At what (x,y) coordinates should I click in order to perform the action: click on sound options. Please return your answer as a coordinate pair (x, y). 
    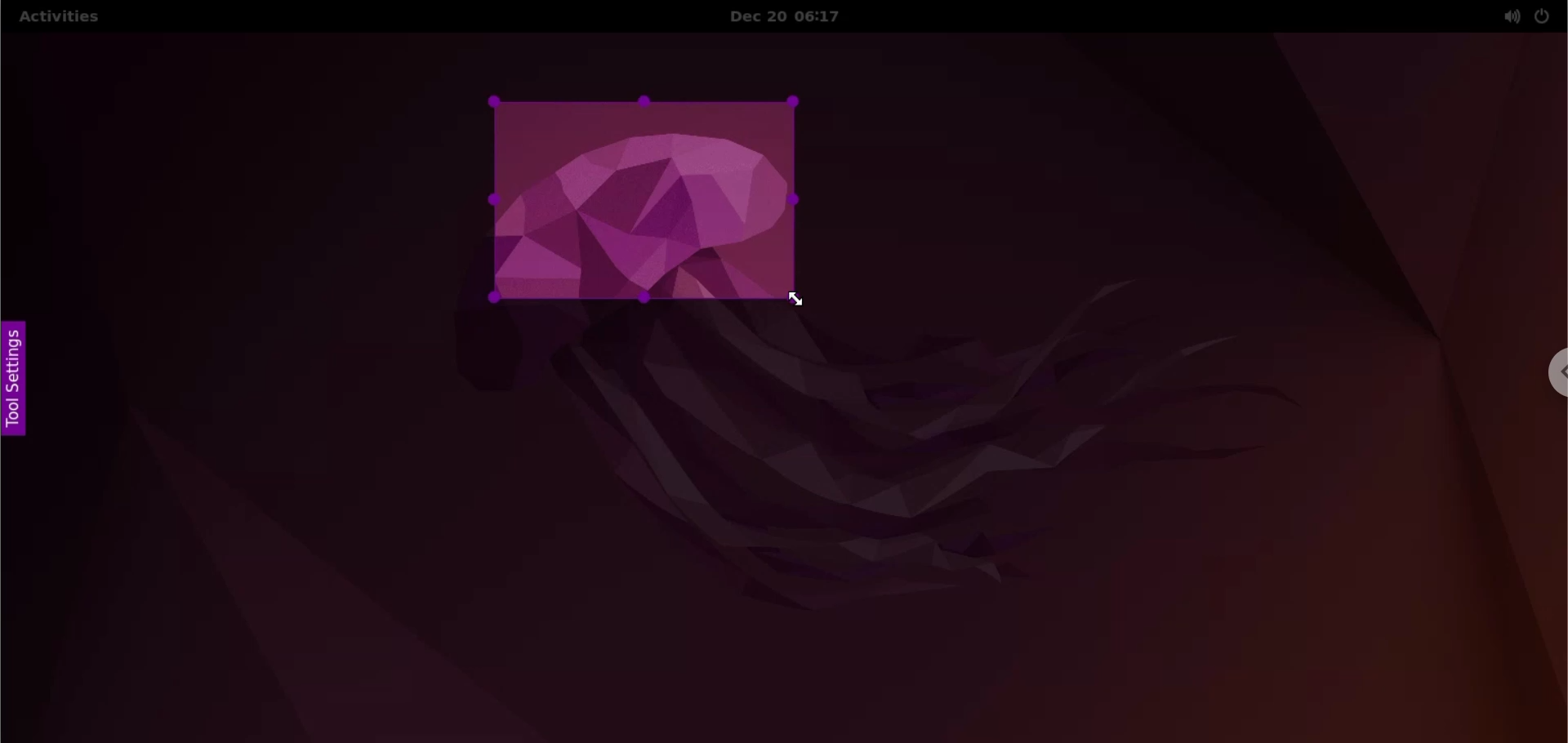
    Looking at the image, I should click on (1508, 16).